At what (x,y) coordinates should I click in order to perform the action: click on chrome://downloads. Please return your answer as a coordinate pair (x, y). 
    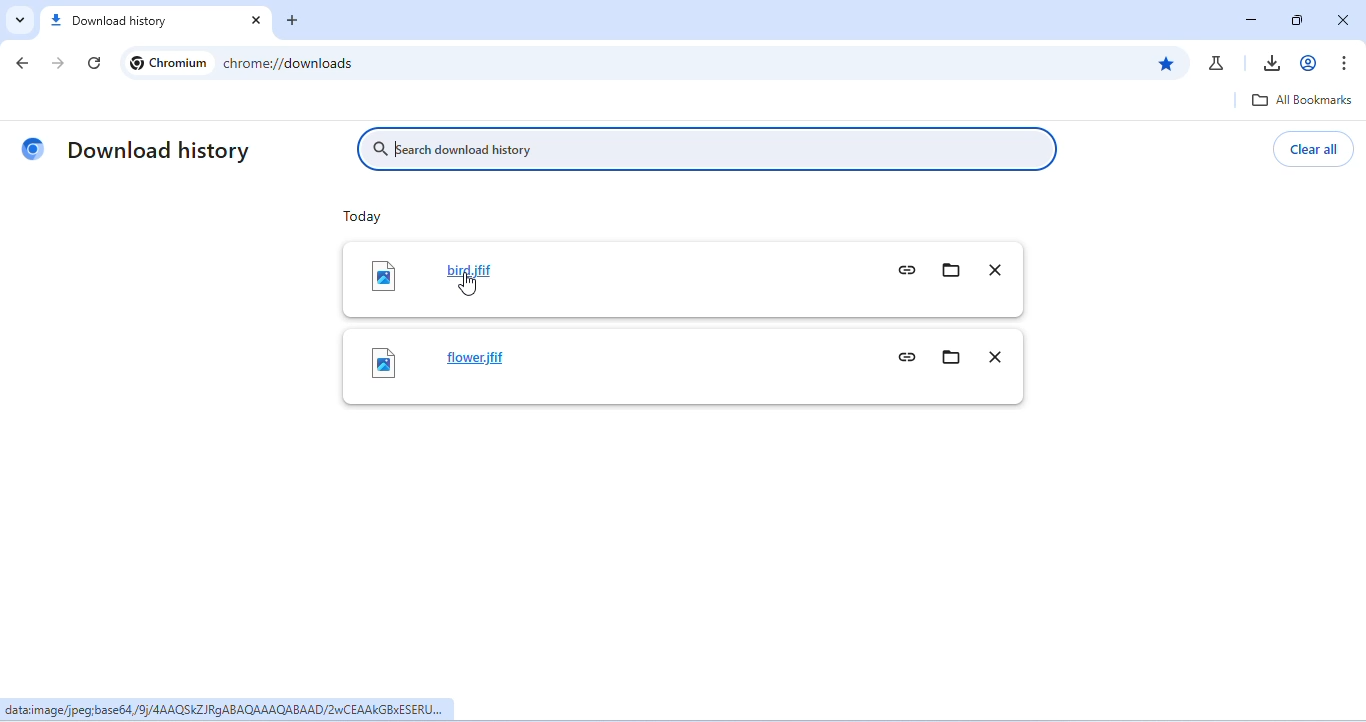
    Looking at the image, I should click on (675, 62).